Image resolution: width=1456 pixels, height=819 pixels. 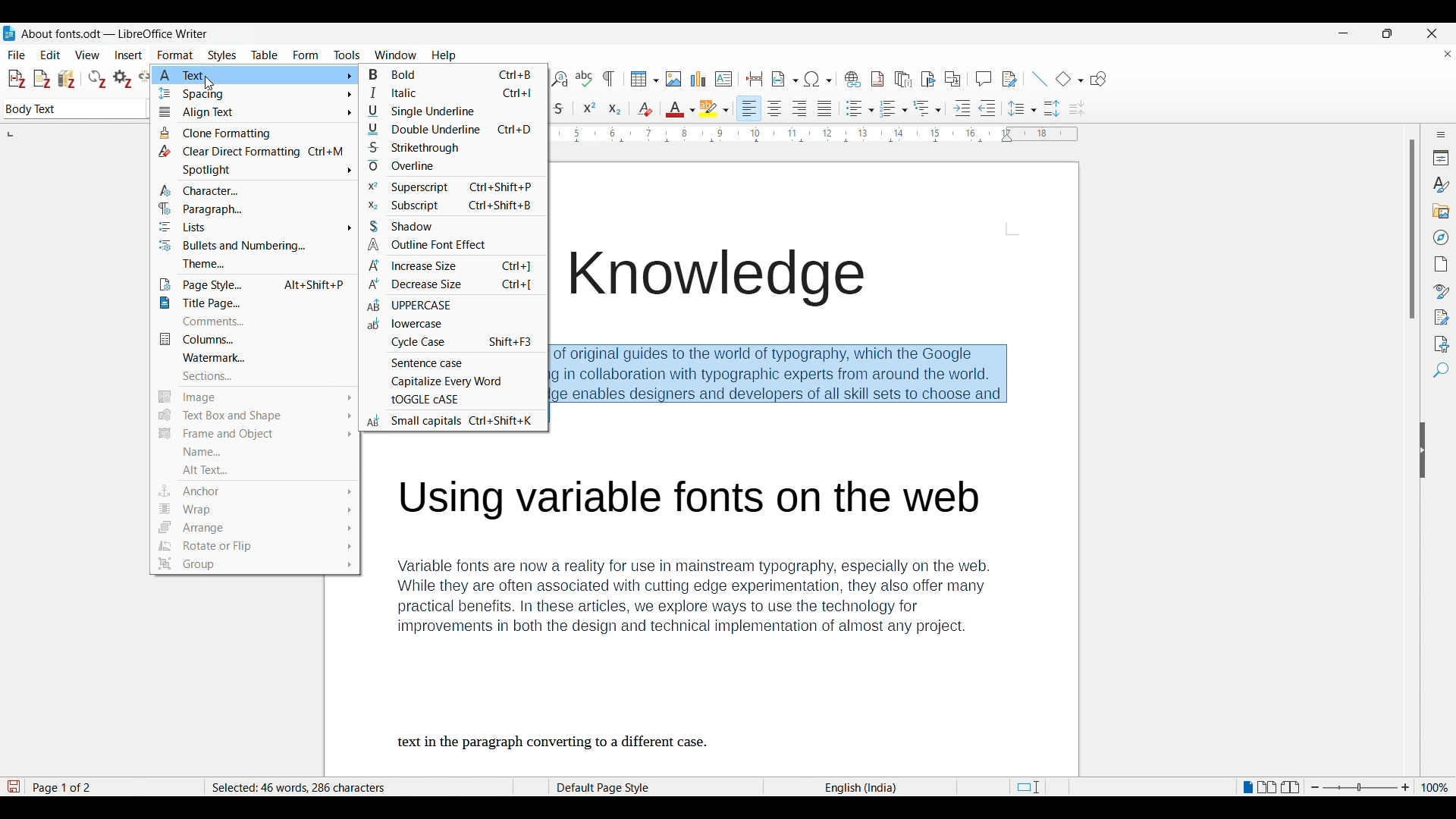 I want to click on cycle case, so click(x=459, y=342).